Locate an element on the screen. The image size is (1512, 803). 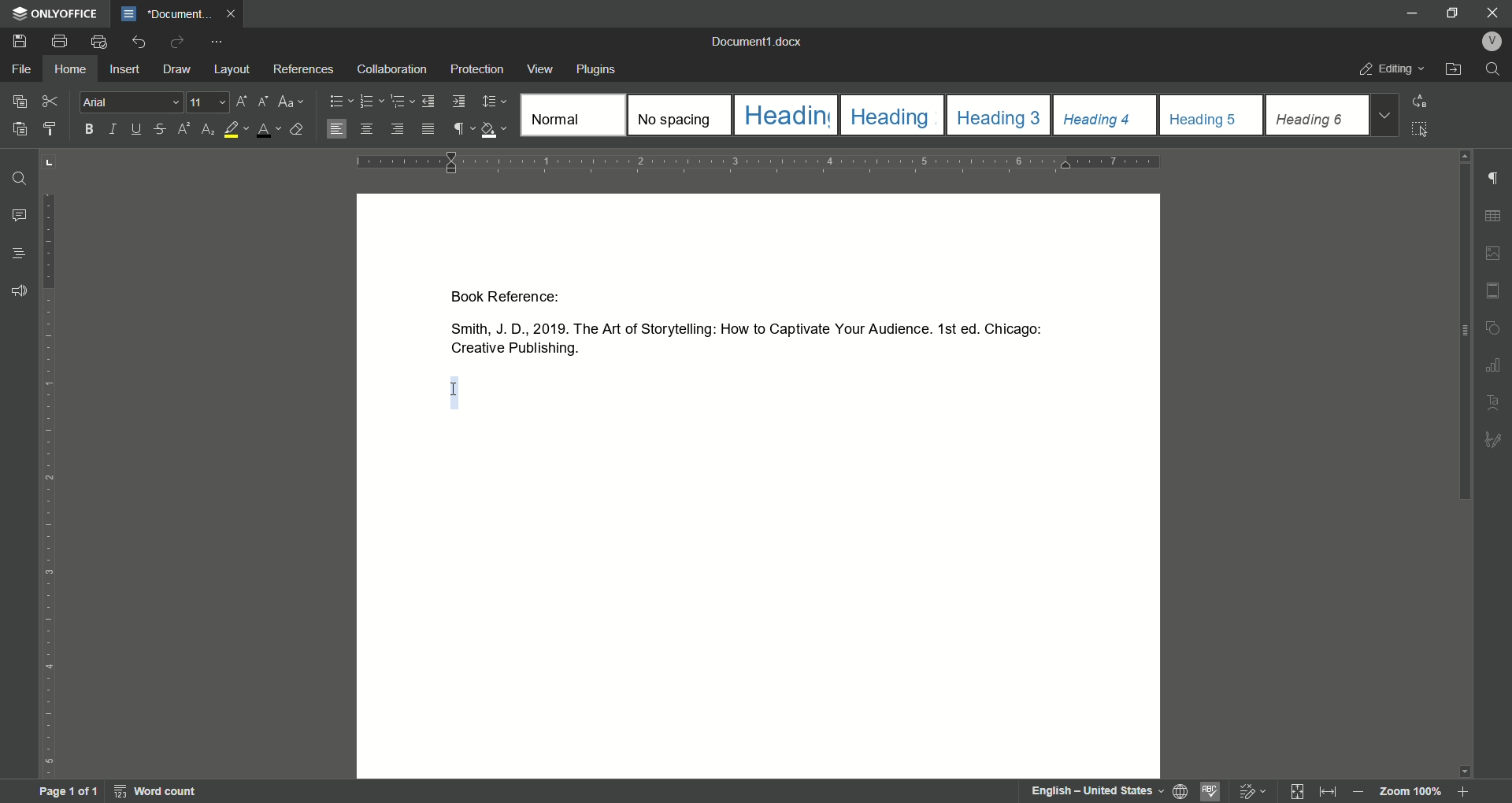
headings is located at coordinates (1317, 114).